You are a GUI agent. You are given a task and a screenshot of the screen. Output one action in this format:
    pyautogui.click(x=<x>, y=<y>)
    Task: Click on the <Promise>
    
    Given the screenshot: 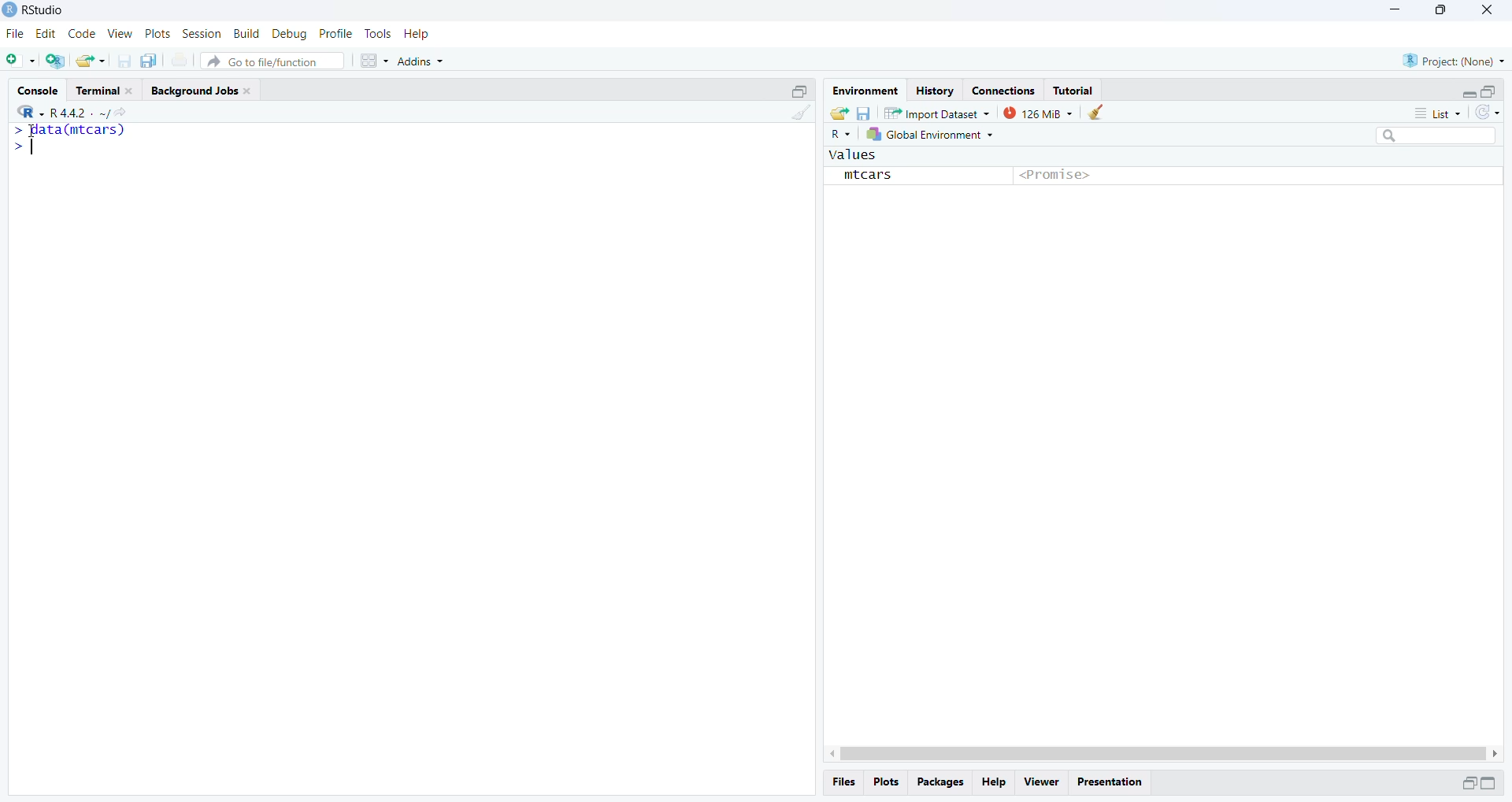 What is the action you would take?
    pyautogui.click(x=1057, y=176)
    